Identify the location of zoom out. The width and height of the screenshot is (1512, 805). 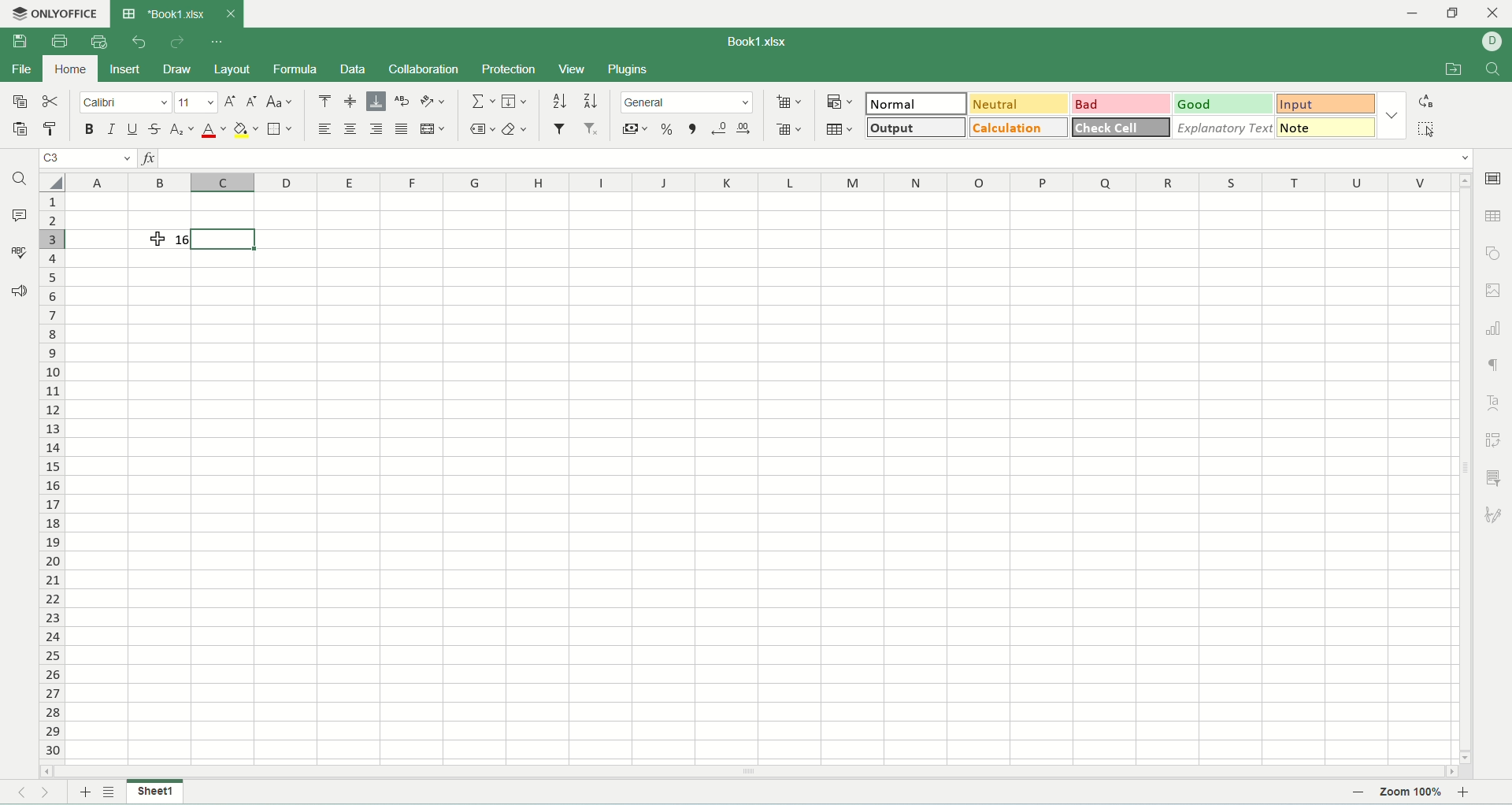
(1358, 792).